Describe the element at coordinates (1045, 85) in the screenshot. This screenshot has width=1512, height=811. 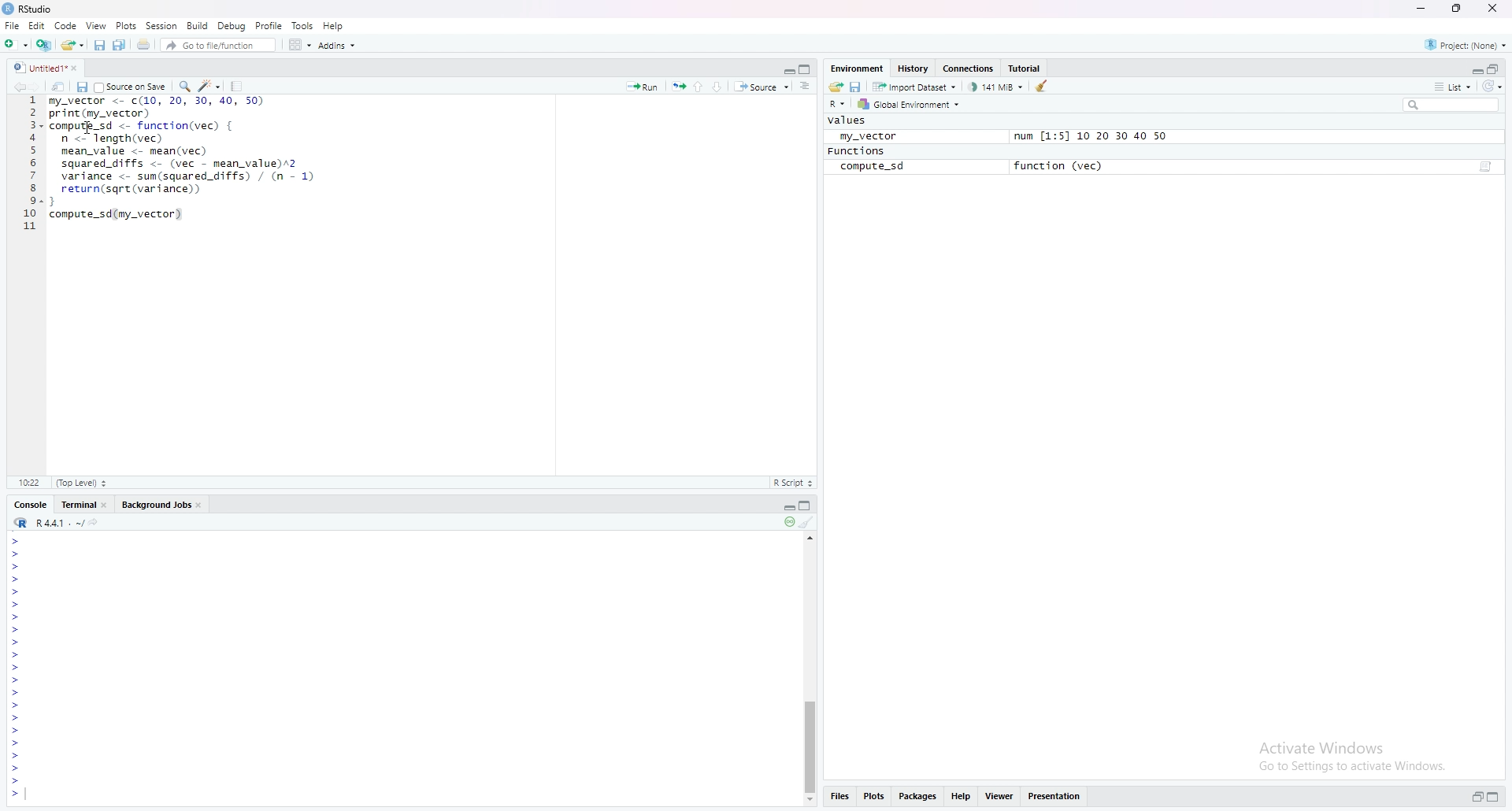
I see `Clear objects from the workspace` at that location.